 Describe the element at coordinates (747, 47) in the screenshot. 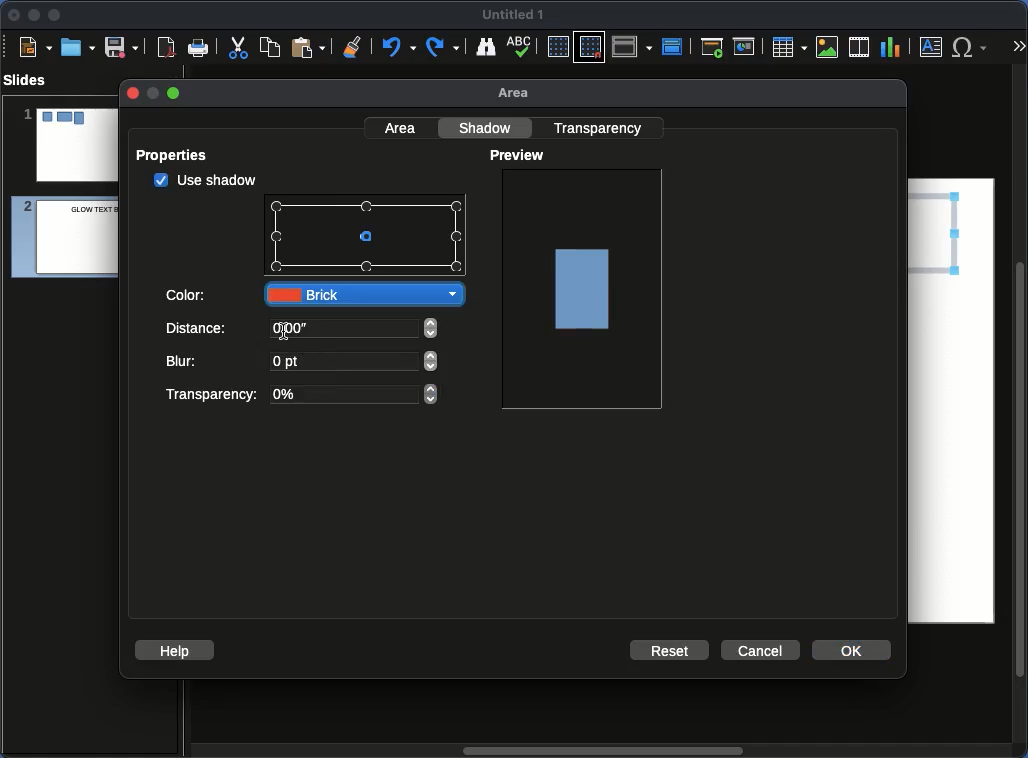

I see `Current slide` at that location.